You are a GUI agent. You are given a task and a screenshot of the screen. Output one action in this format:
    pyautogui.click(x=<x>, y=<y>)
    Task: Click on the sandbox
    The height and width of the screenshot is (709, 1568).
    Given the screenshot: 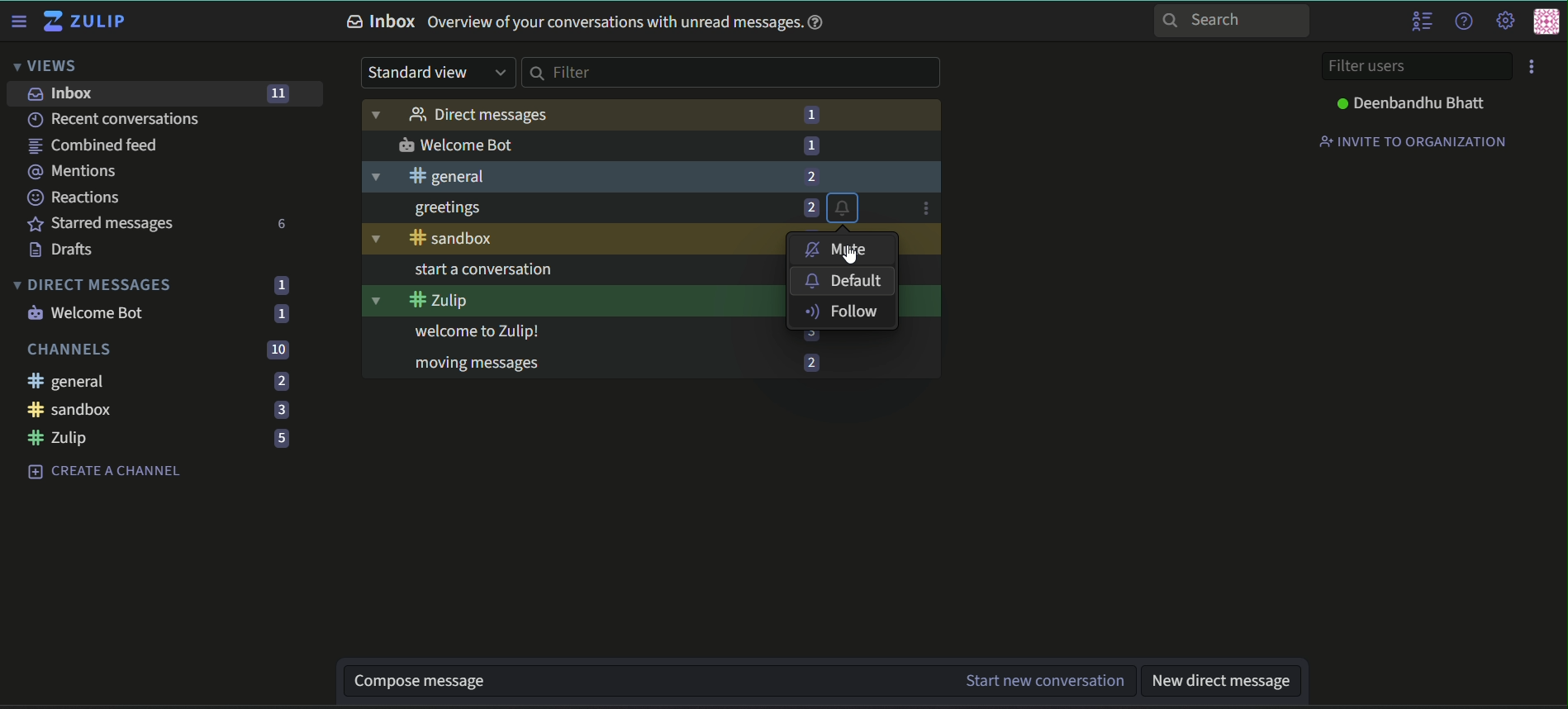 What is the action you would take?
    pyautogui.click(x=74, y=411)
    